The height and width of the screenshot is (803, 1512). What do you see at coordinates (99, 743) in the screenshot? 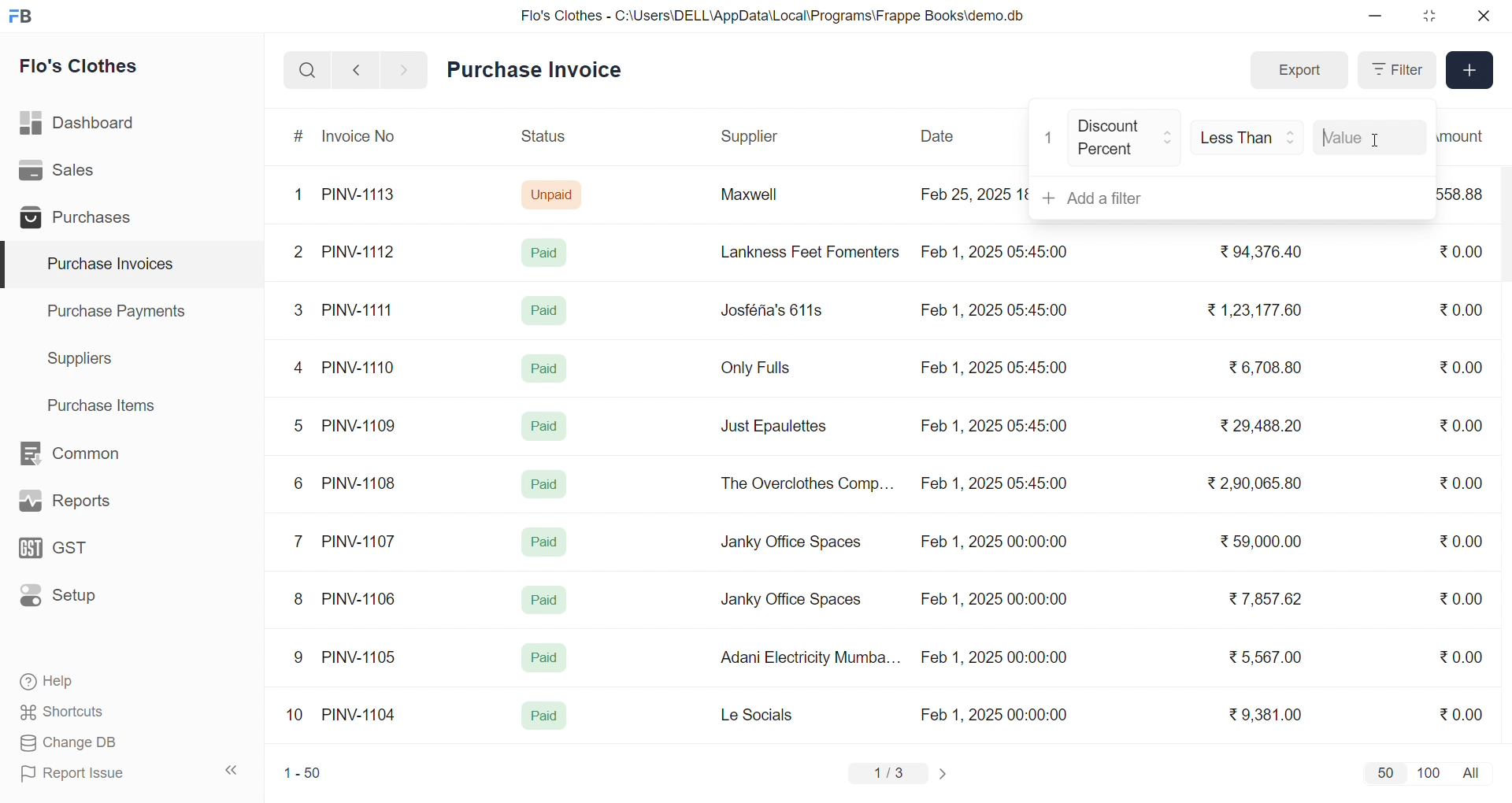
I see `Change DB` at bounding box center [99, 743].